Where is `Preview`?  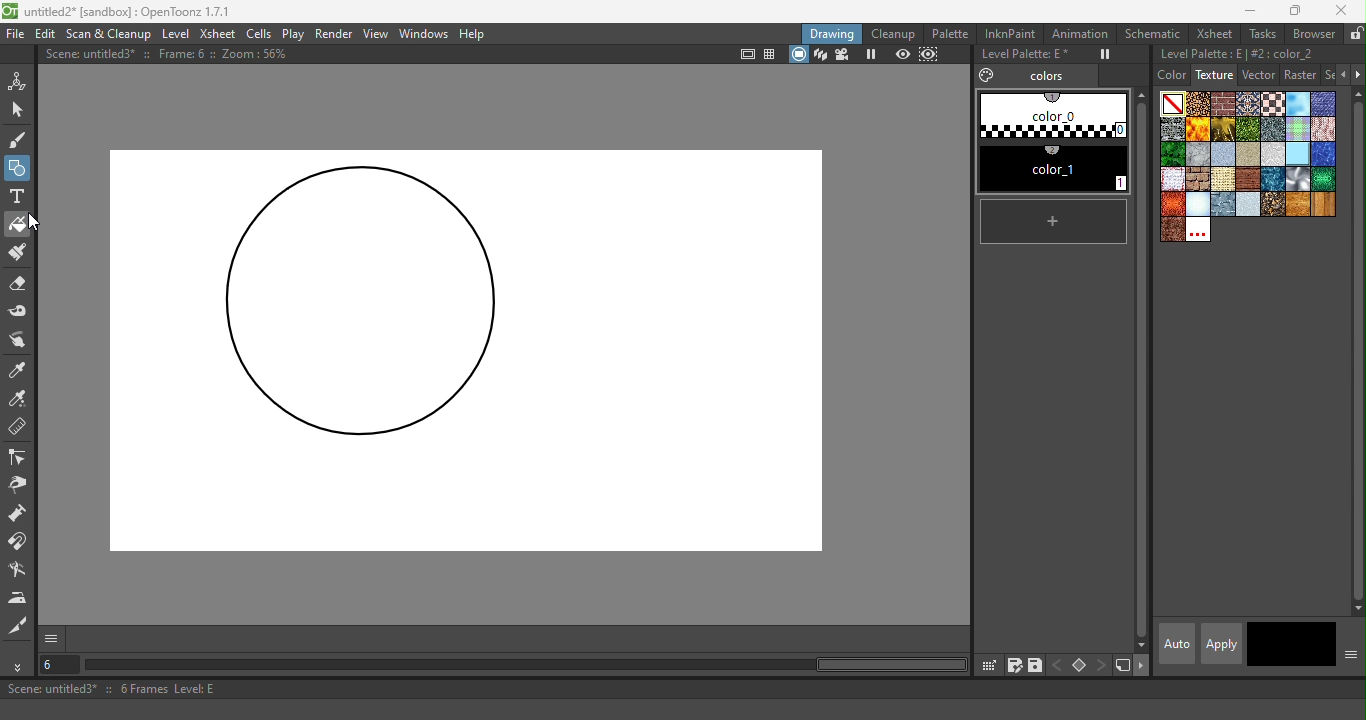 Preview is located at coordinates (900, 54).